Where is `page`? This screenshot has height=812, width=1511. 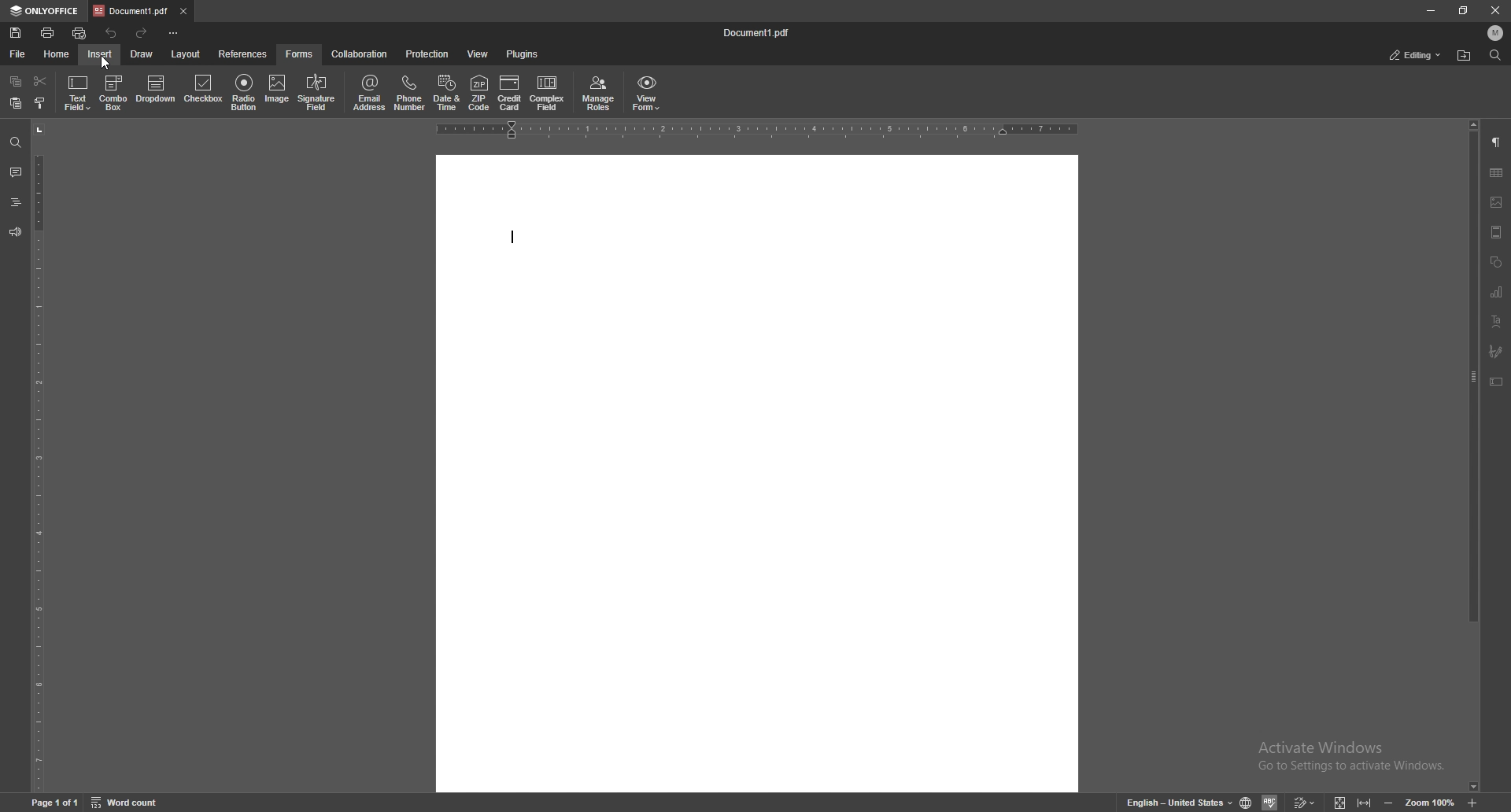
page is located at coordinates (54, 803).